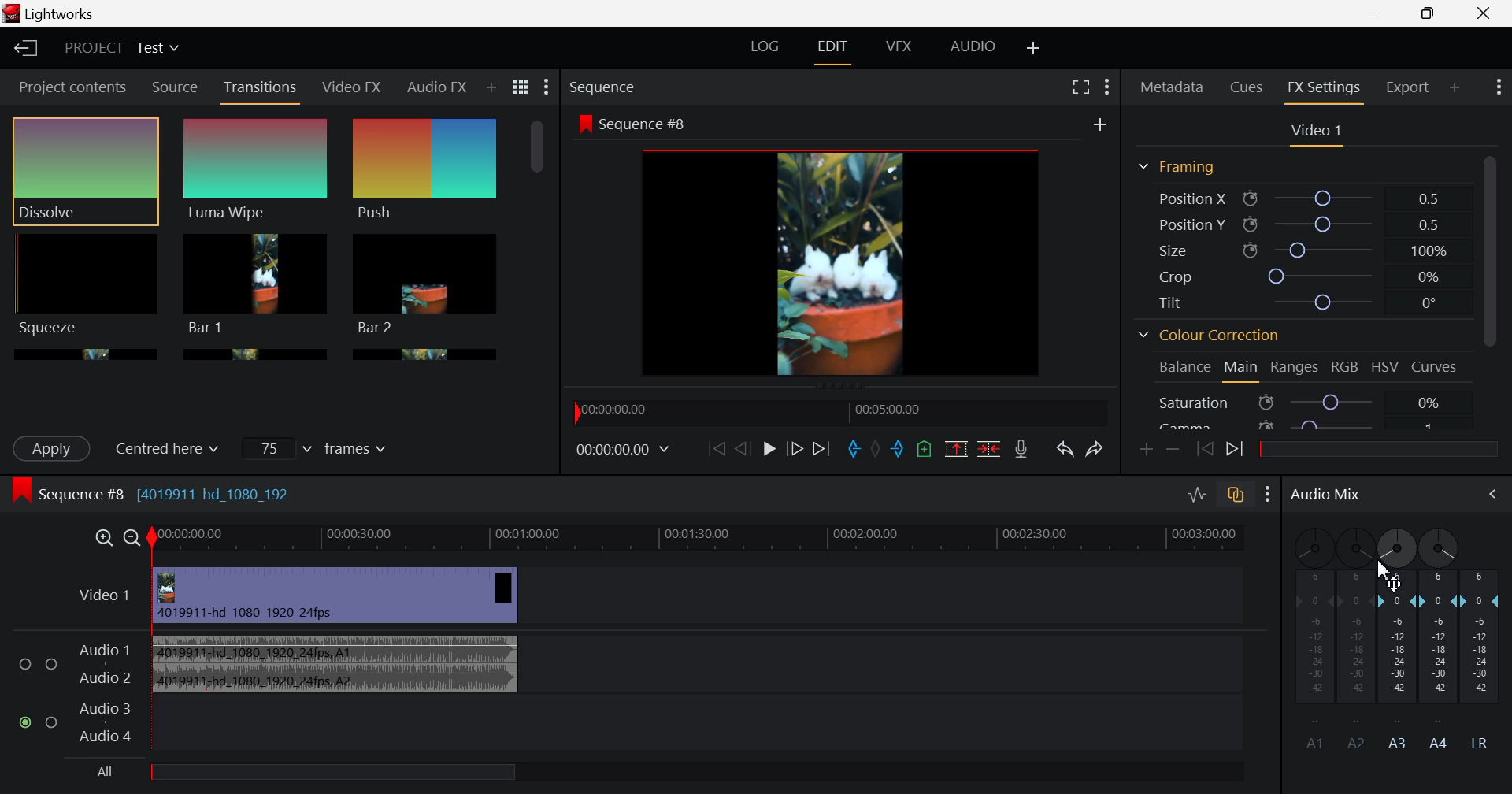  Describe the element at coordinates (261, 92) in the screenshot. I see `Transitions Panel Open` at that location.